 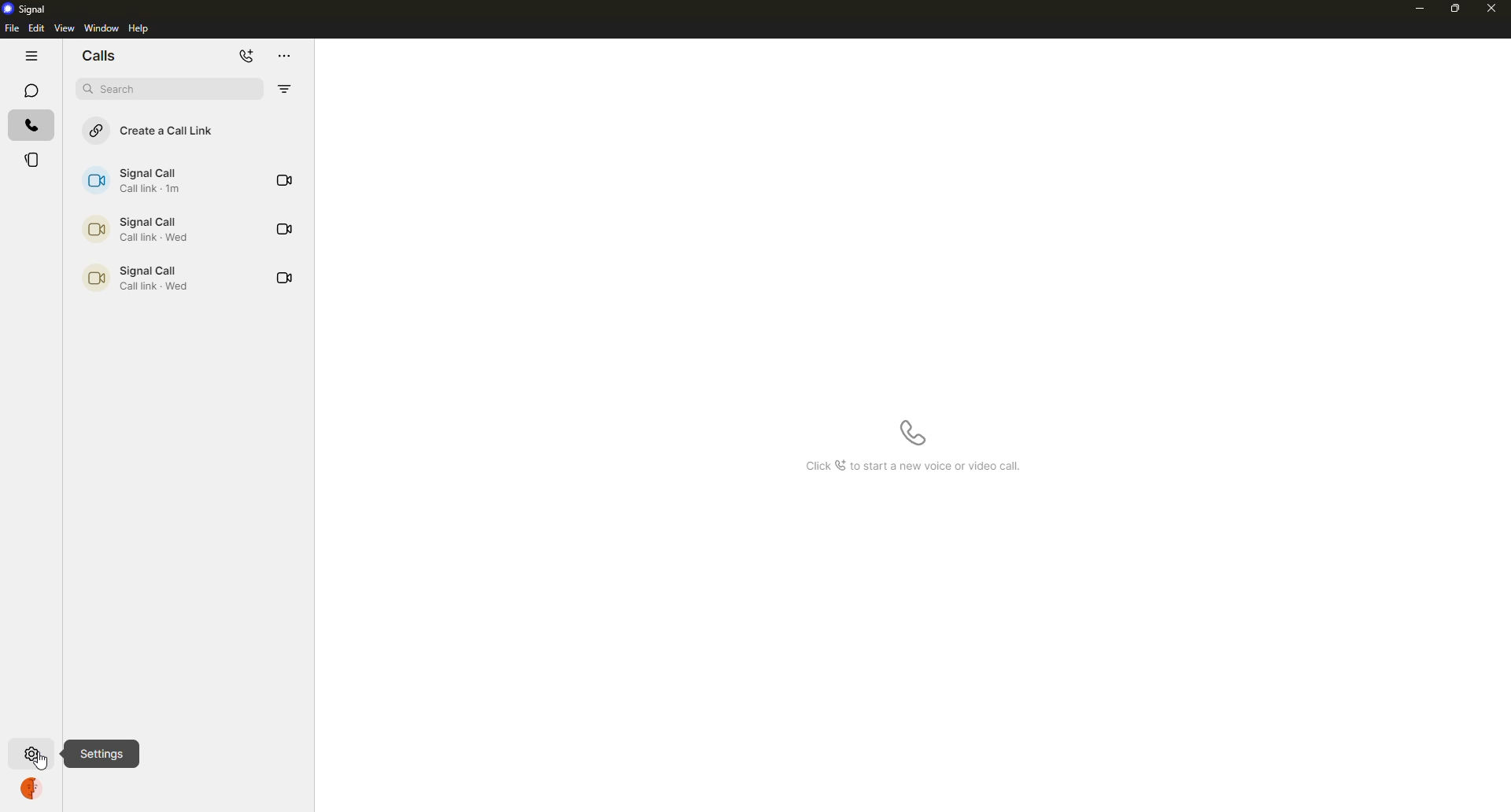 What do you see at coordinates (31, 753) in the screenshot?
I see `settings` at bounding box center [31, 753].